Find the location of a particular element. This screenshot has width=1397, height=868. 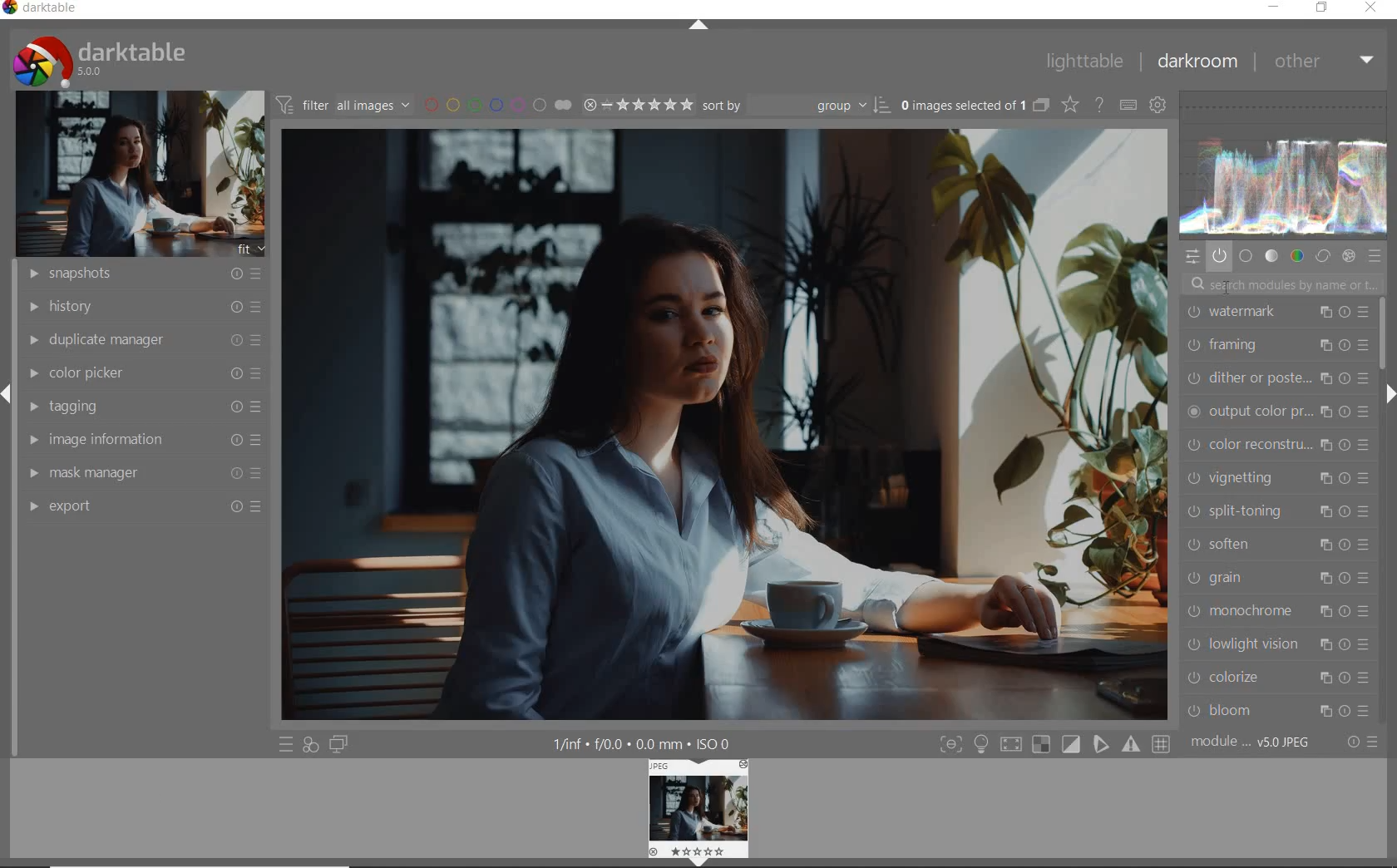

enable for online help is located at coordinates (1099, 106).